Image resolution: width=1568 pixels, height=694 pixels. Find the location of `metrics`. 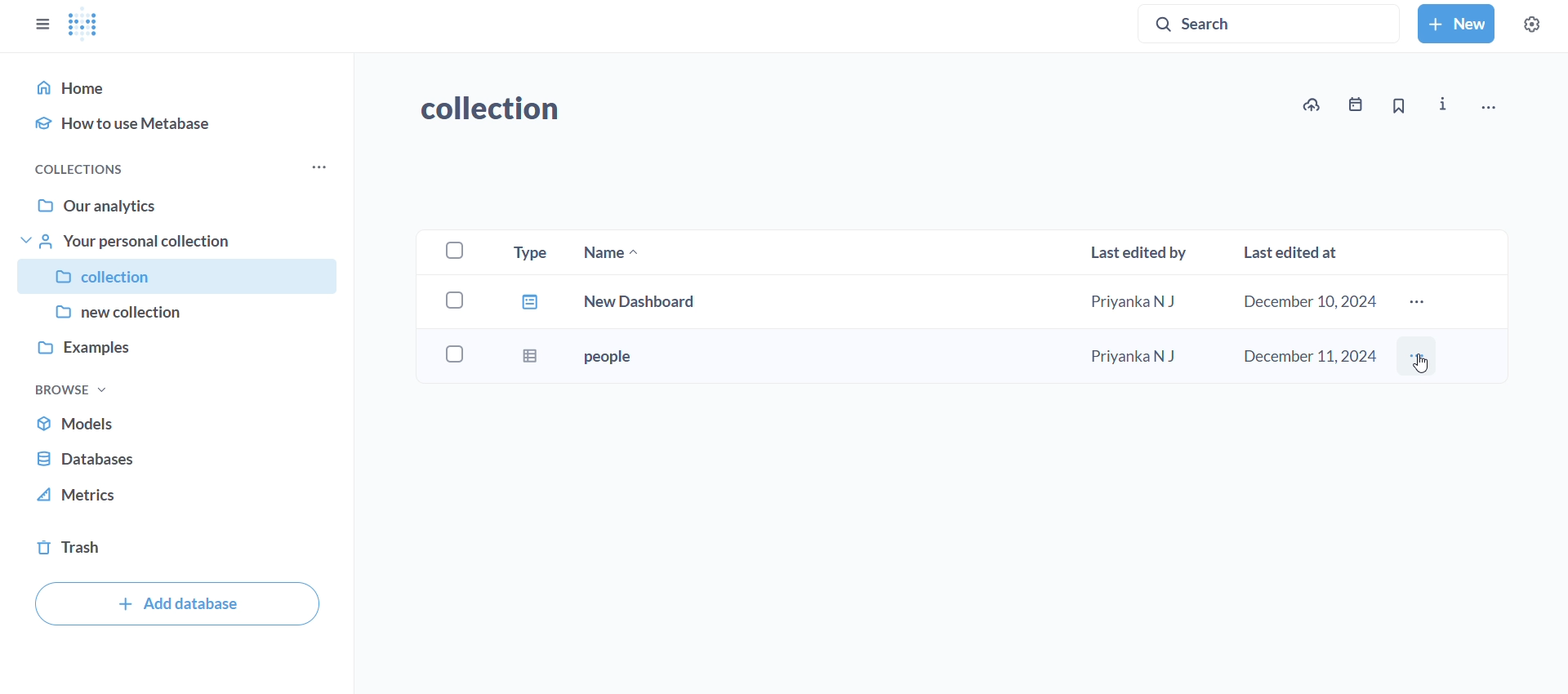

metrics is located at coordinates (180, 500).